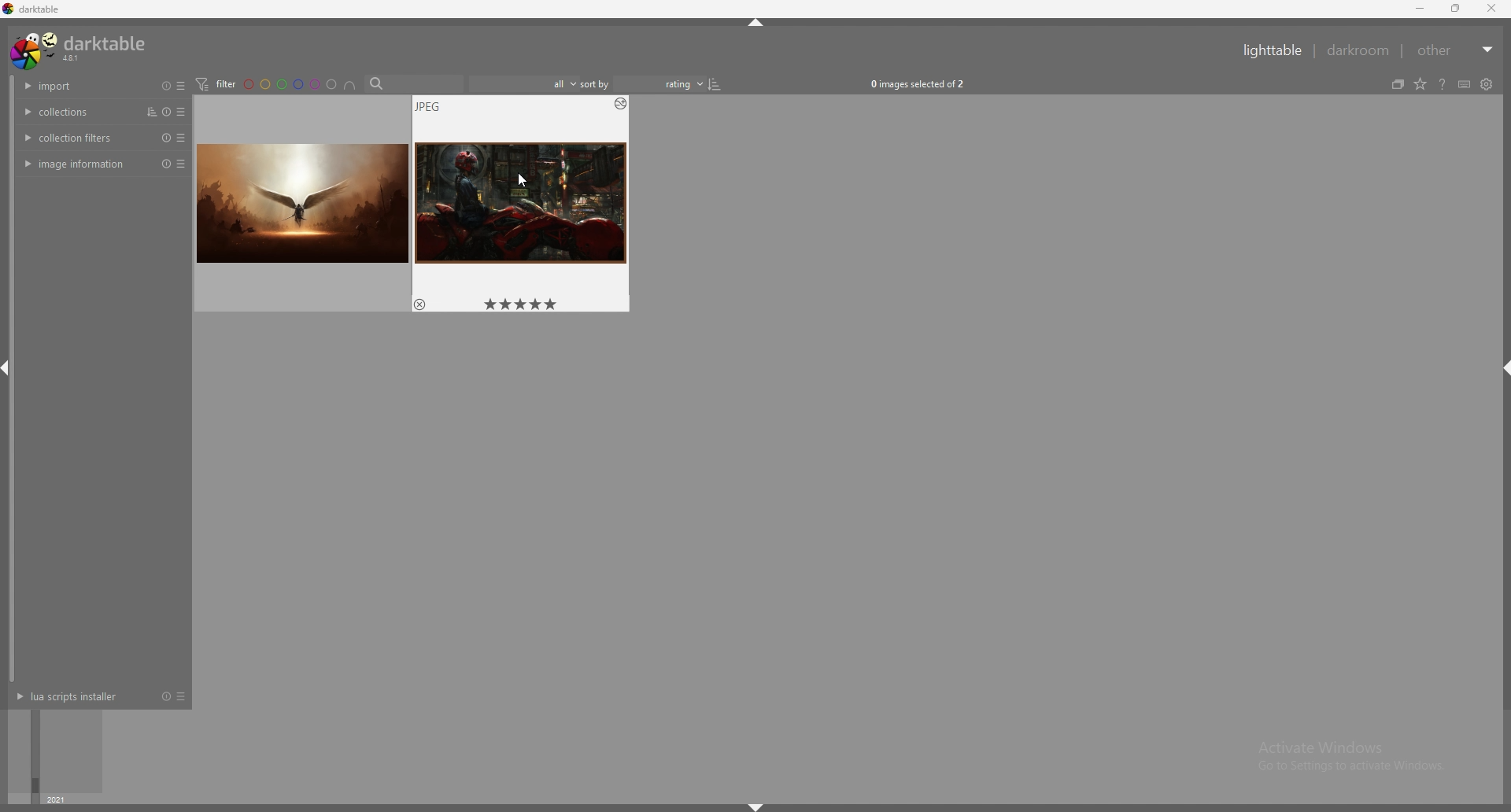  What do you see at coordinates (753, 23) in the screenshot?
I see `hide` at bounding box center [753, 23].